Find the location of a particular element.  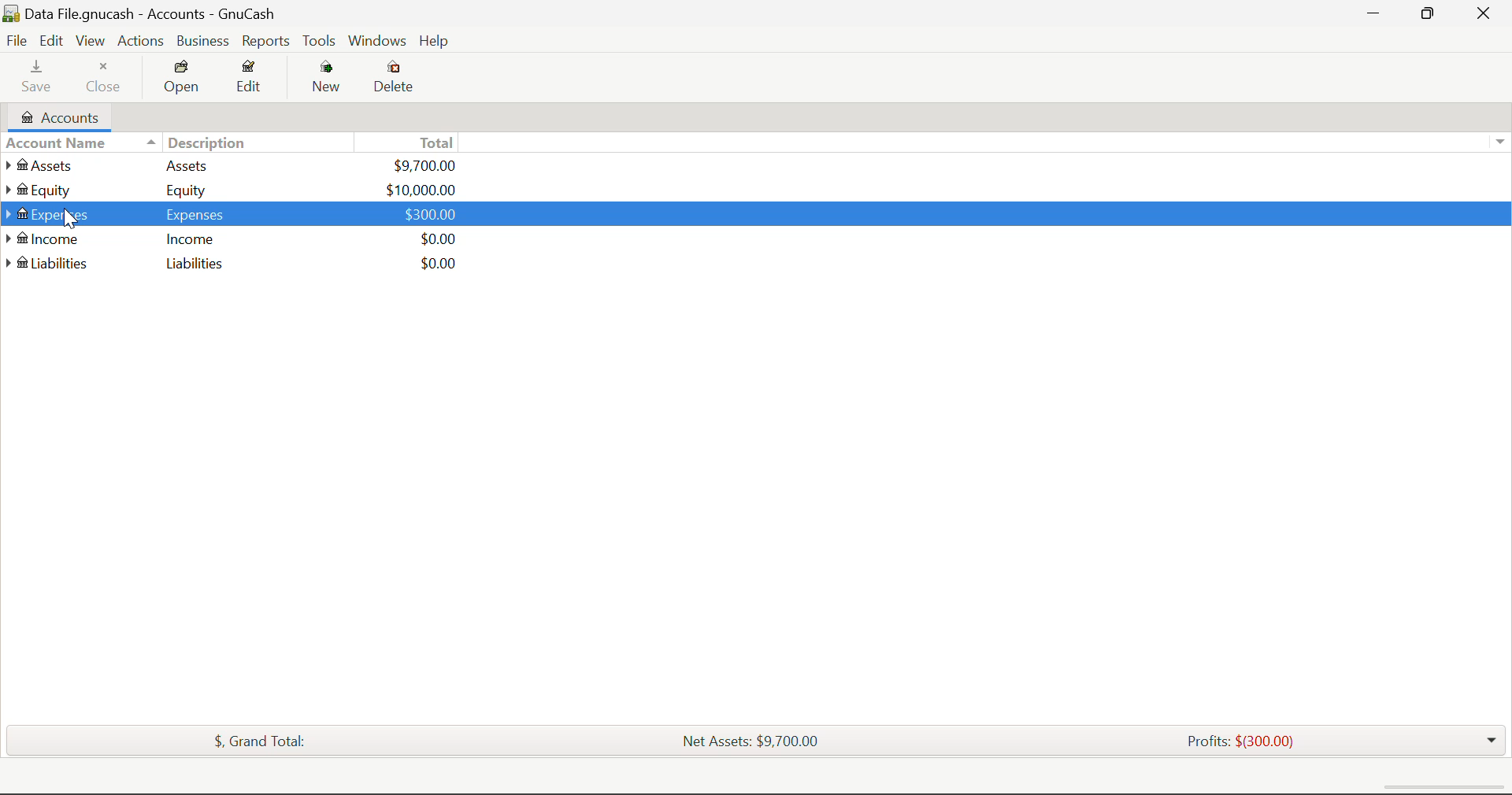

Delete is located at coordinates (405, 81).